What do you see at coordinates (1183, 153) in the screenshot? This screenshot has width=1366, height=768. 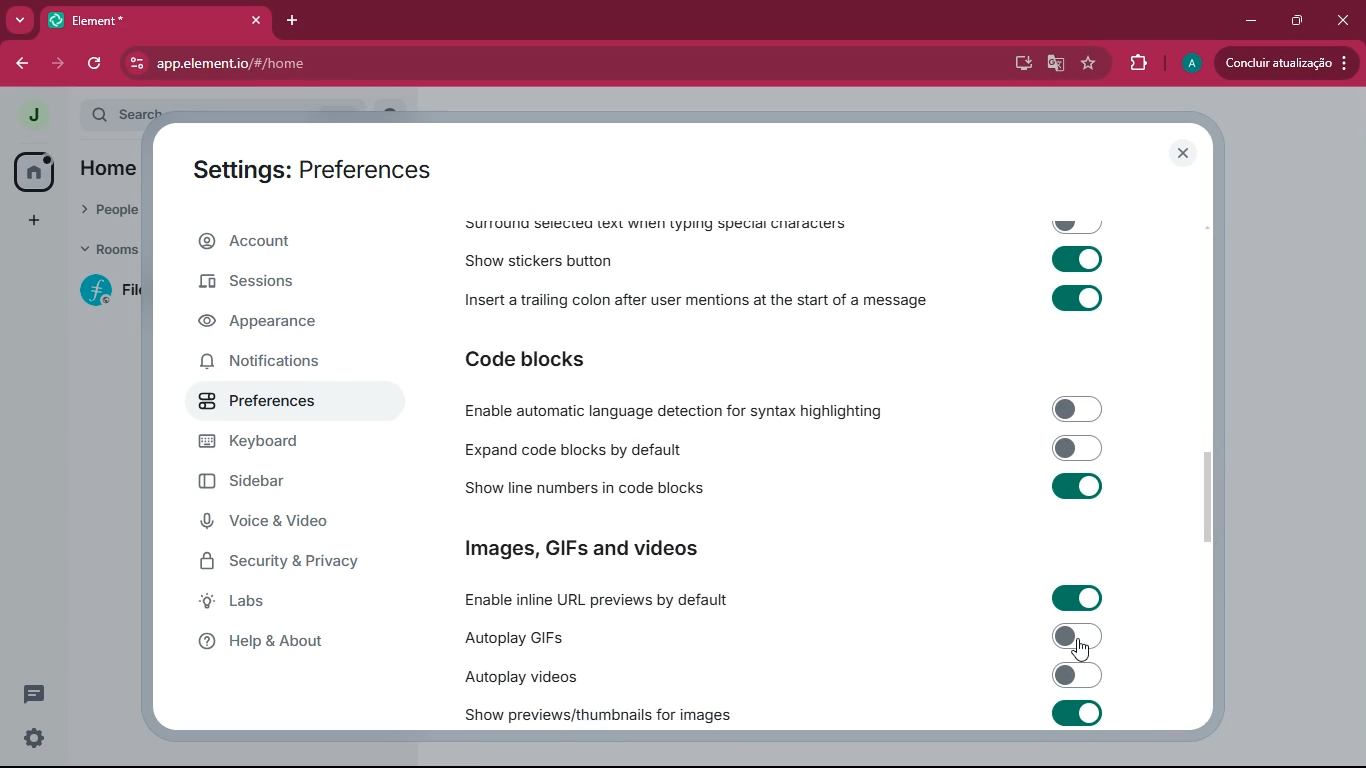 I see `close` at bounding box center [1183, 153].